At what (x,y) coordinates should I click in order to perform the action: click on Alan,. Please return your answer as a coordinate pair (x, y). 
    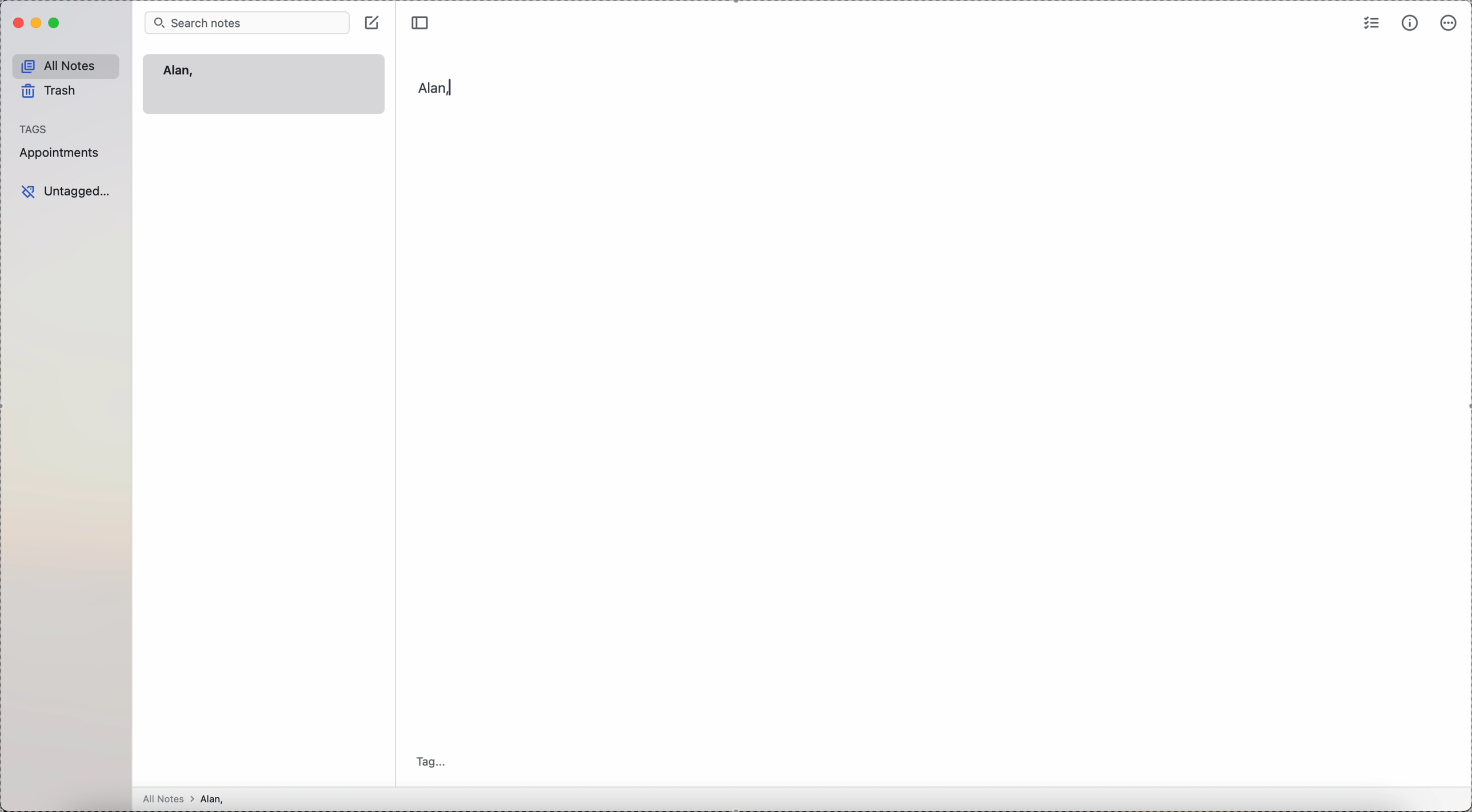
    Looking at the image, I should click on (179, 71).